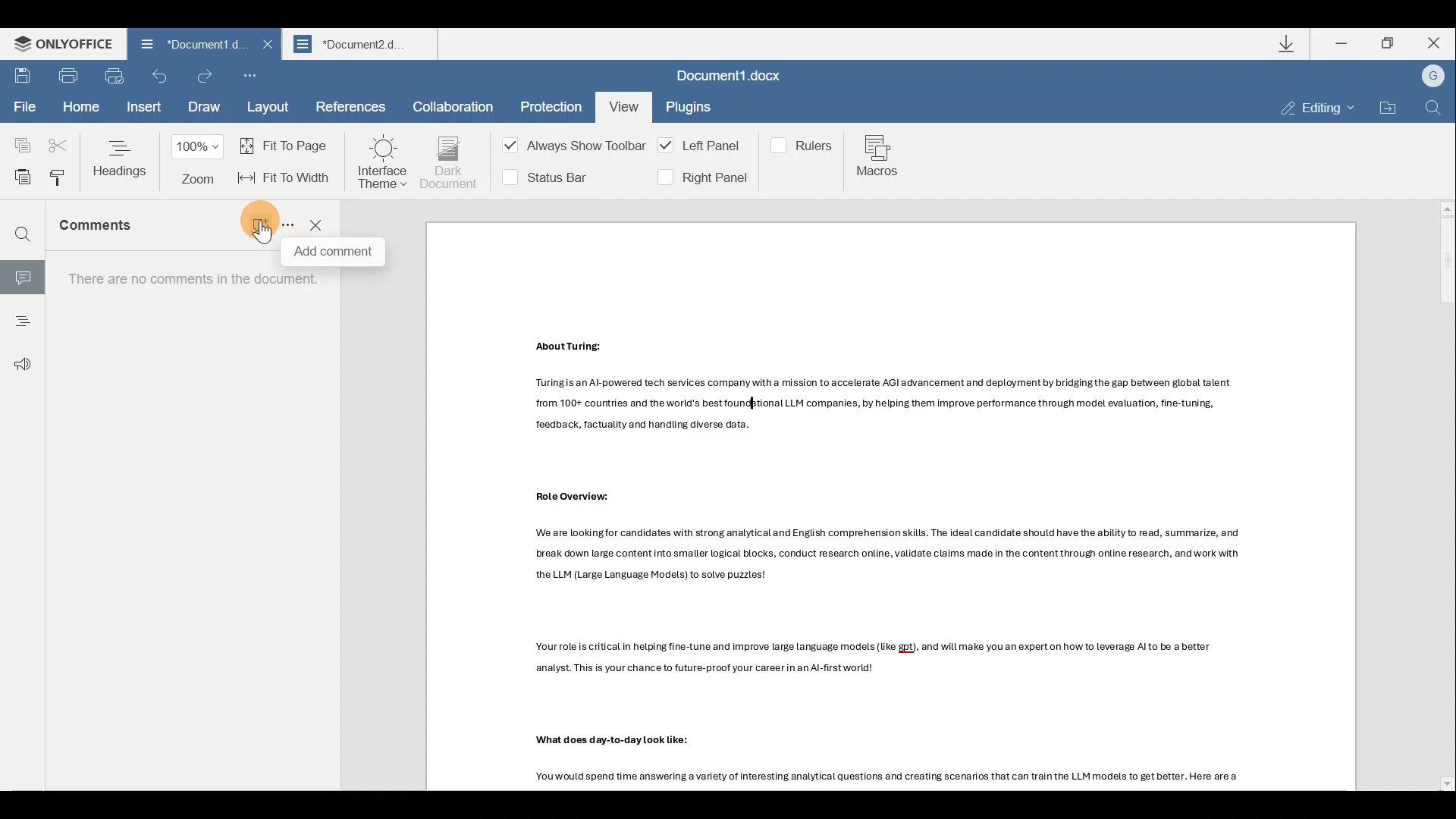  Describe the element at coordinates (1439, 45) in the screenshot. I see `Close` at that location.